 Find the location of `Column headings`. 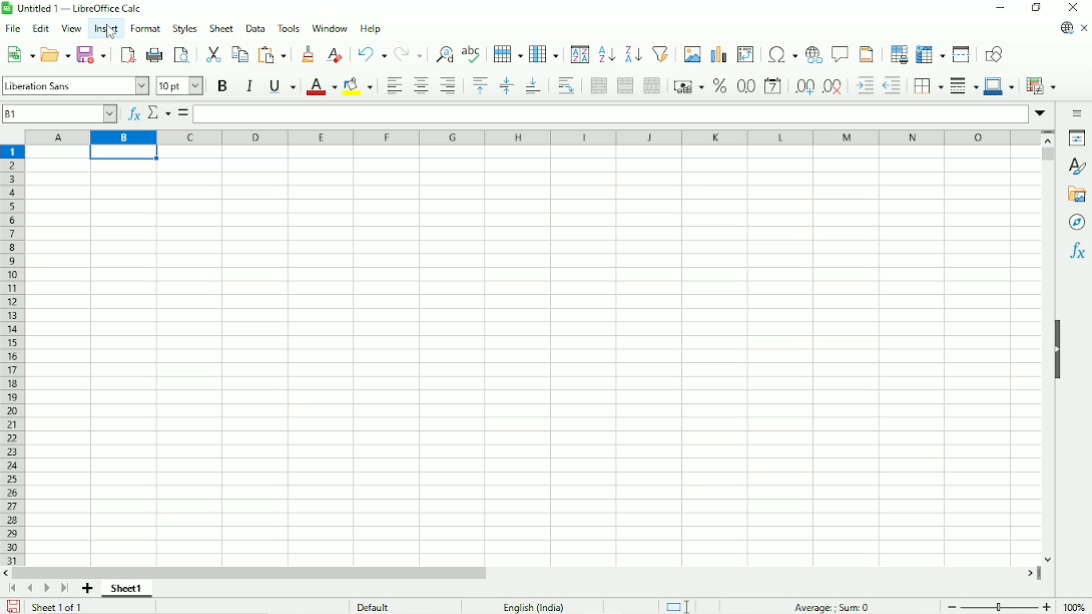

Column headings is located at coordinates (533, 137).